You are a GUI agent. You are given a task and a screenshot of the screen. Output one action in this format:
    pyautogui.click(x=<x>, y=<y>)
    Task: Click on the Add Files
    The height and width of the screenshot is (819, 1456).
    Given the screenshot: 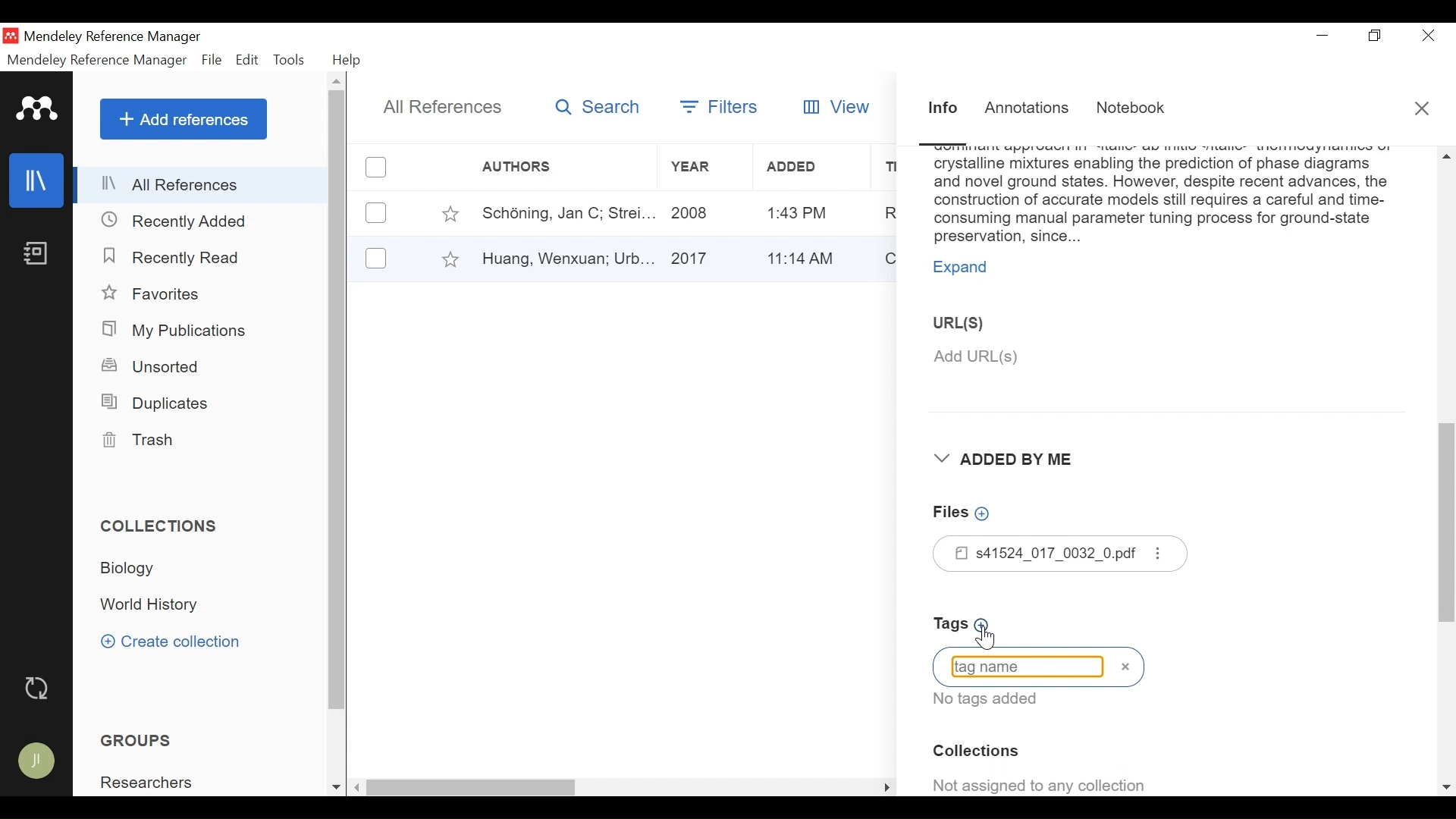 What is the action you would take?
    pyautogui.click(x=964, y=513)
    